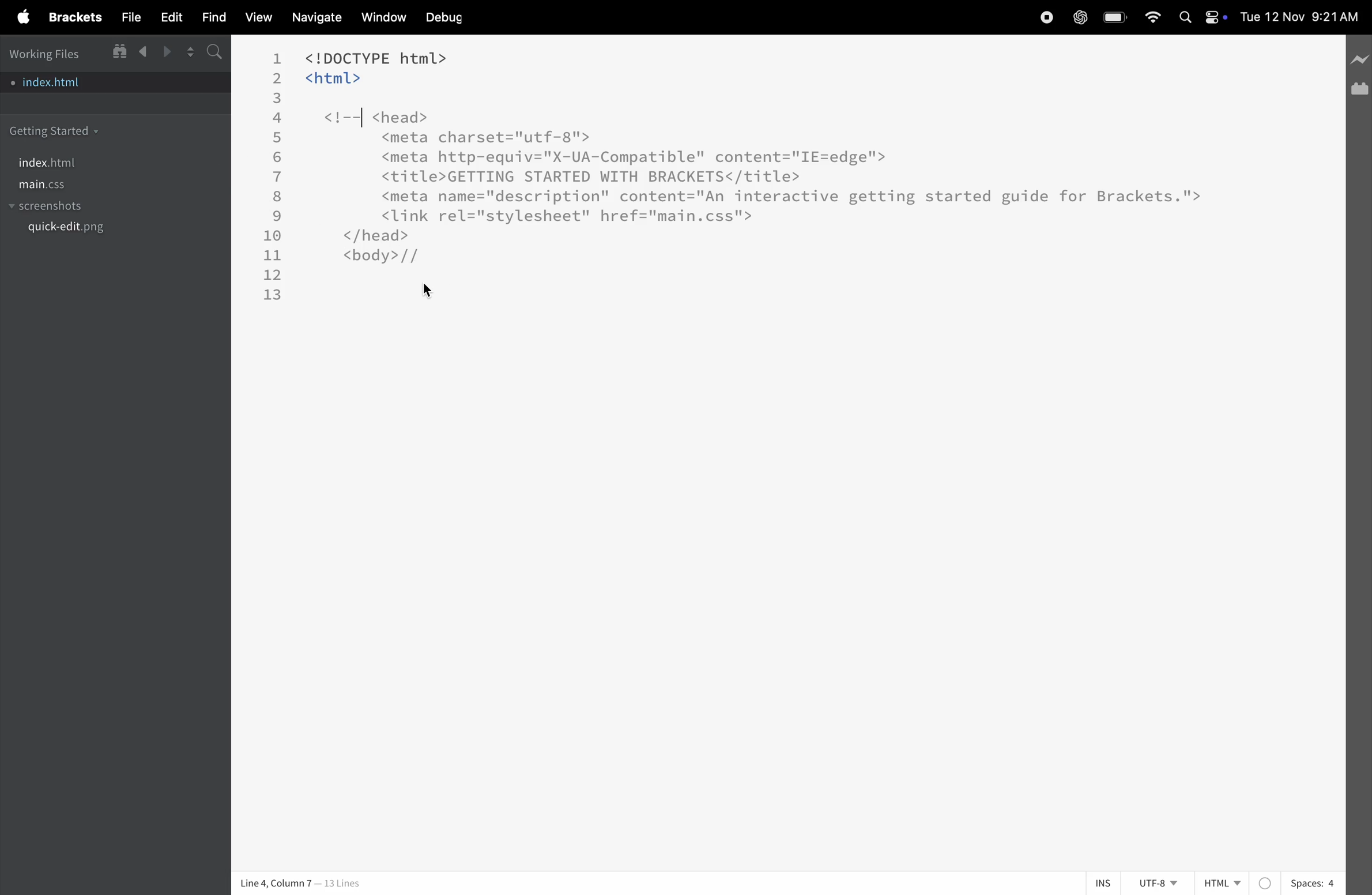 This screenshot has height=895, width=1372. Describe the element at coordinates (126, 17) in the screenshot. I see `file` at that location.